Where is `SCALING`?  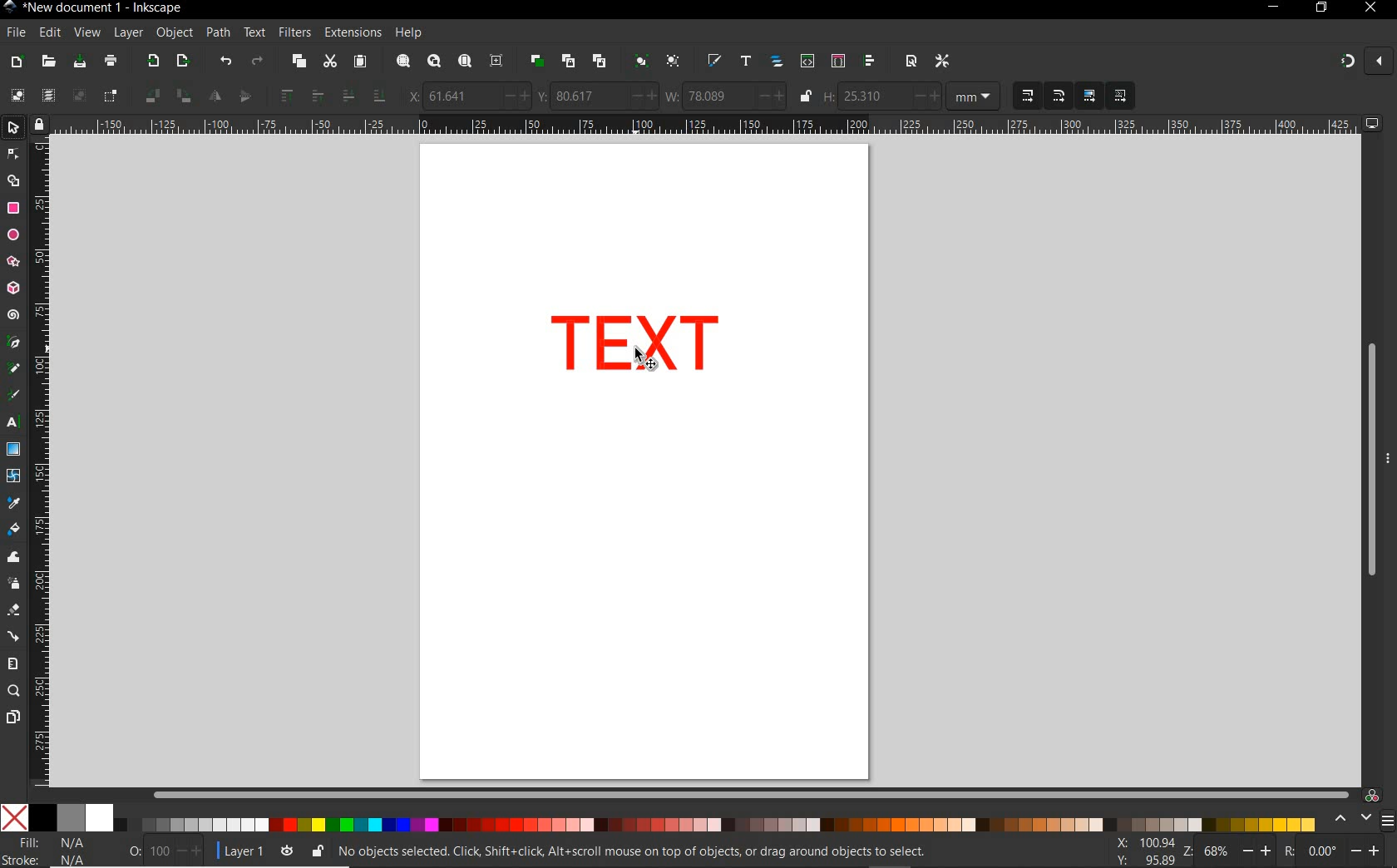
SCALING is located at coordinates (1043, 96).